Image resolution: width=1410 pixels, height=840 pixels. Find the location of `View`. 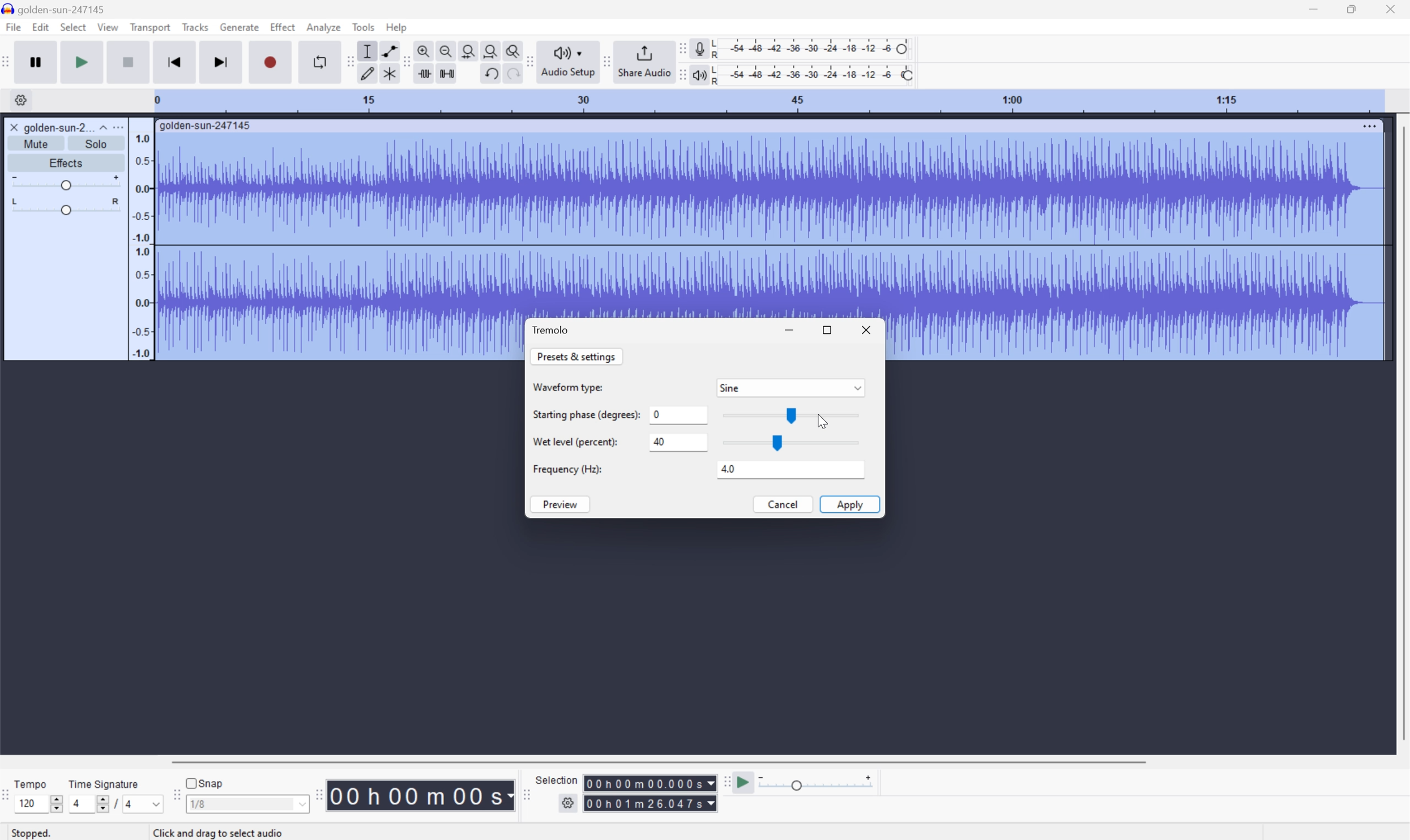

View is located at coordinates (109, 28).